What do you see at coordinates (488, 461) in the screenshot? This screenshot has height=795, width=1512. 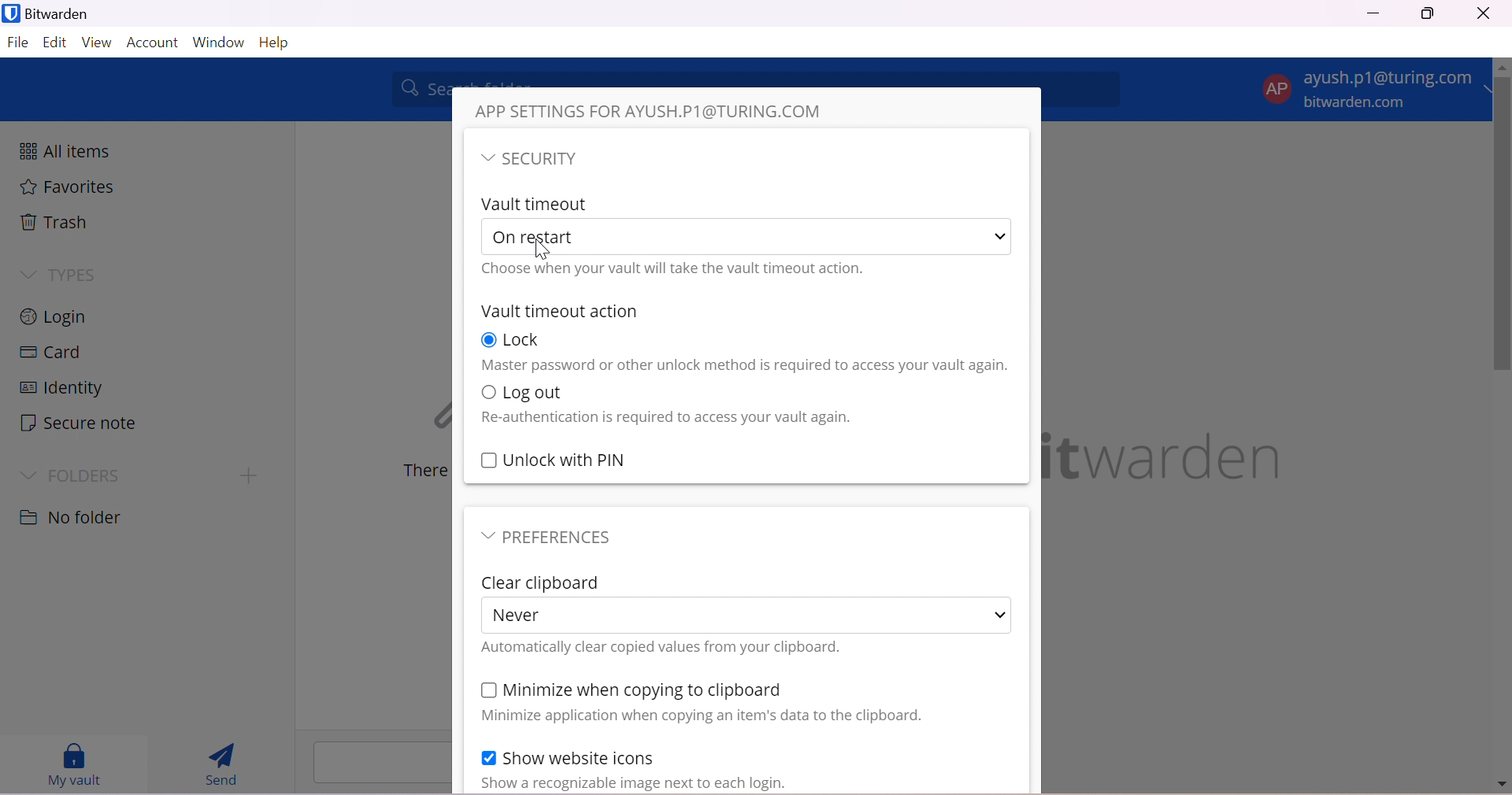 I see `Checkbox` at bounding box center [488, 461].